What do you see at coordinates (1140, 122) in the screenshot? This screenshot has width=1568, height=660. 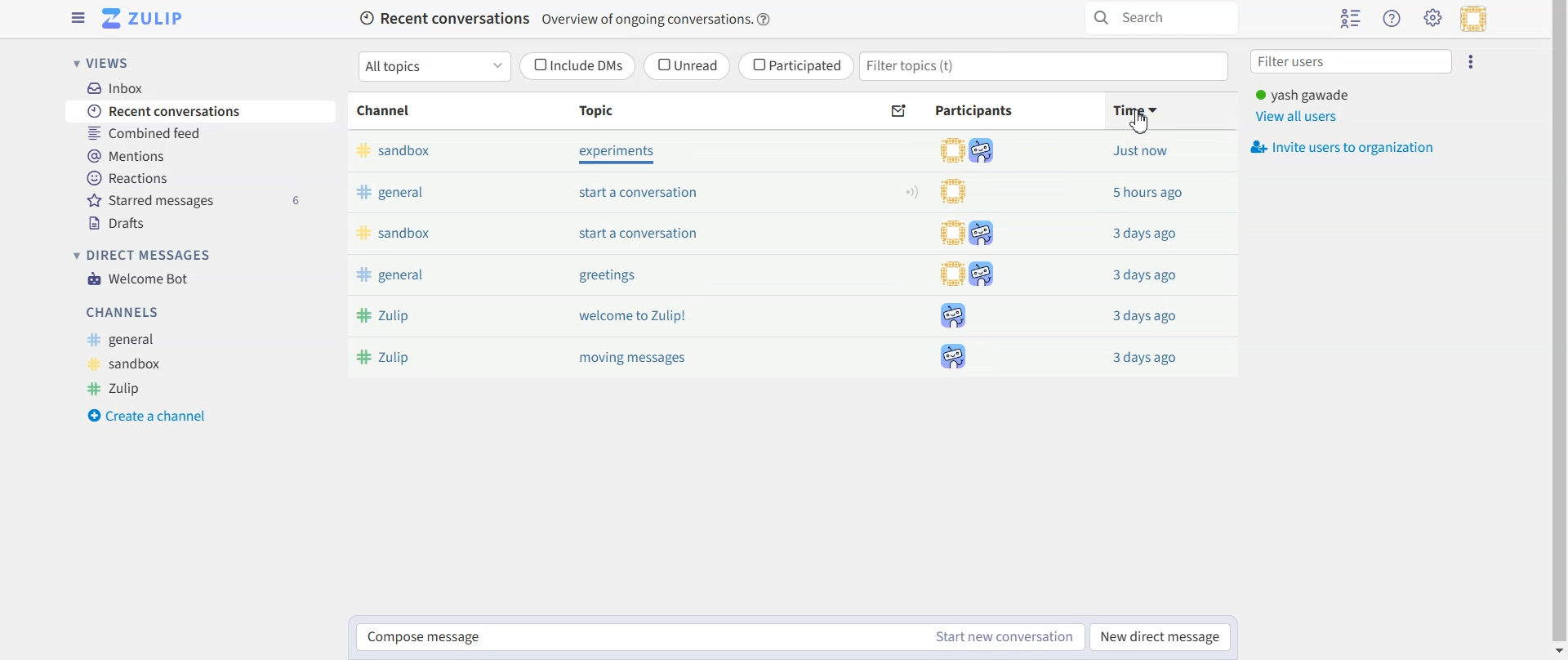 I see `cursor` at bounding box center [1140, 122].